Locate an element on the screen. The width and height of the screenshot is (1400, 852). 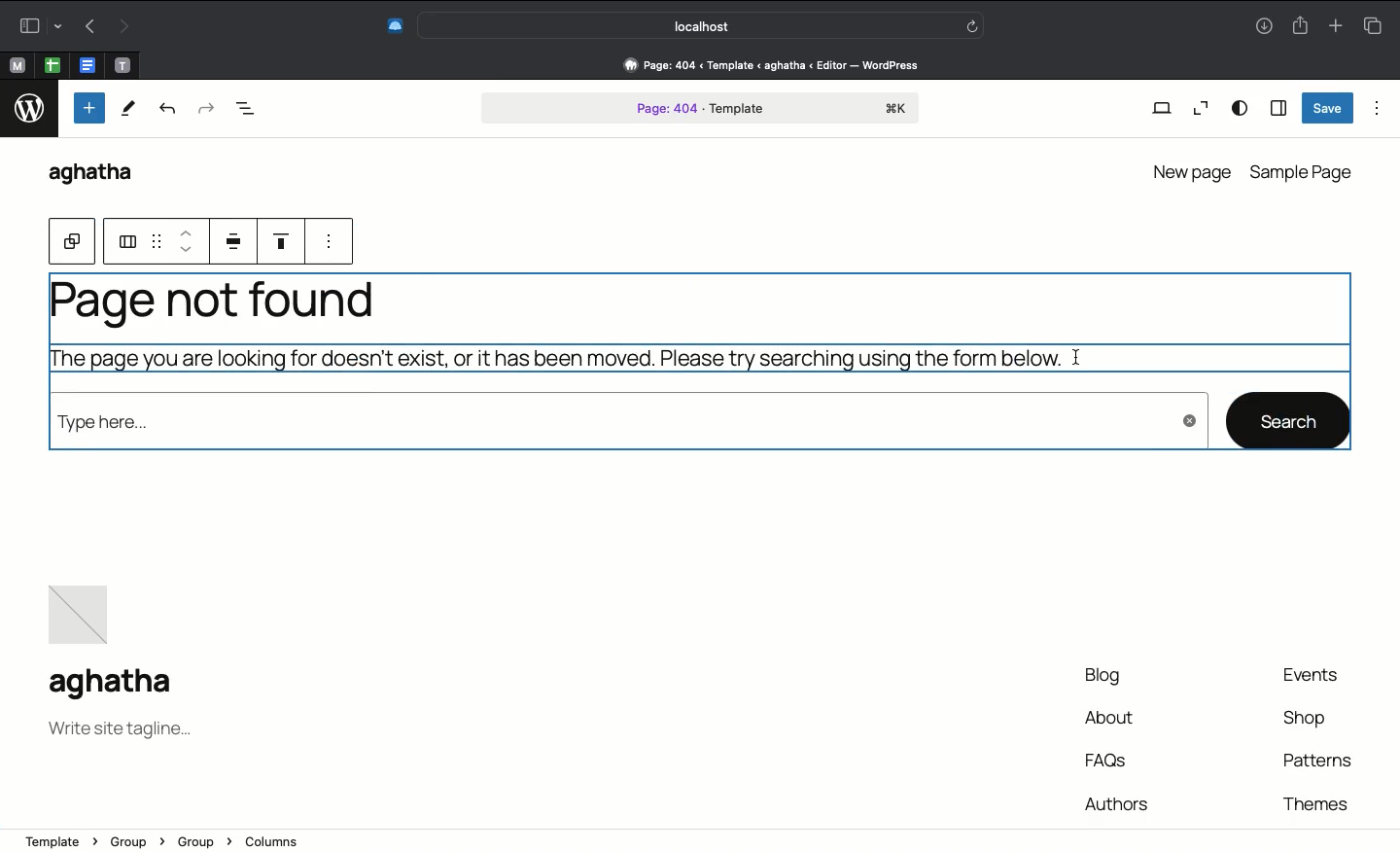
address is located at coordinates (667, 836).